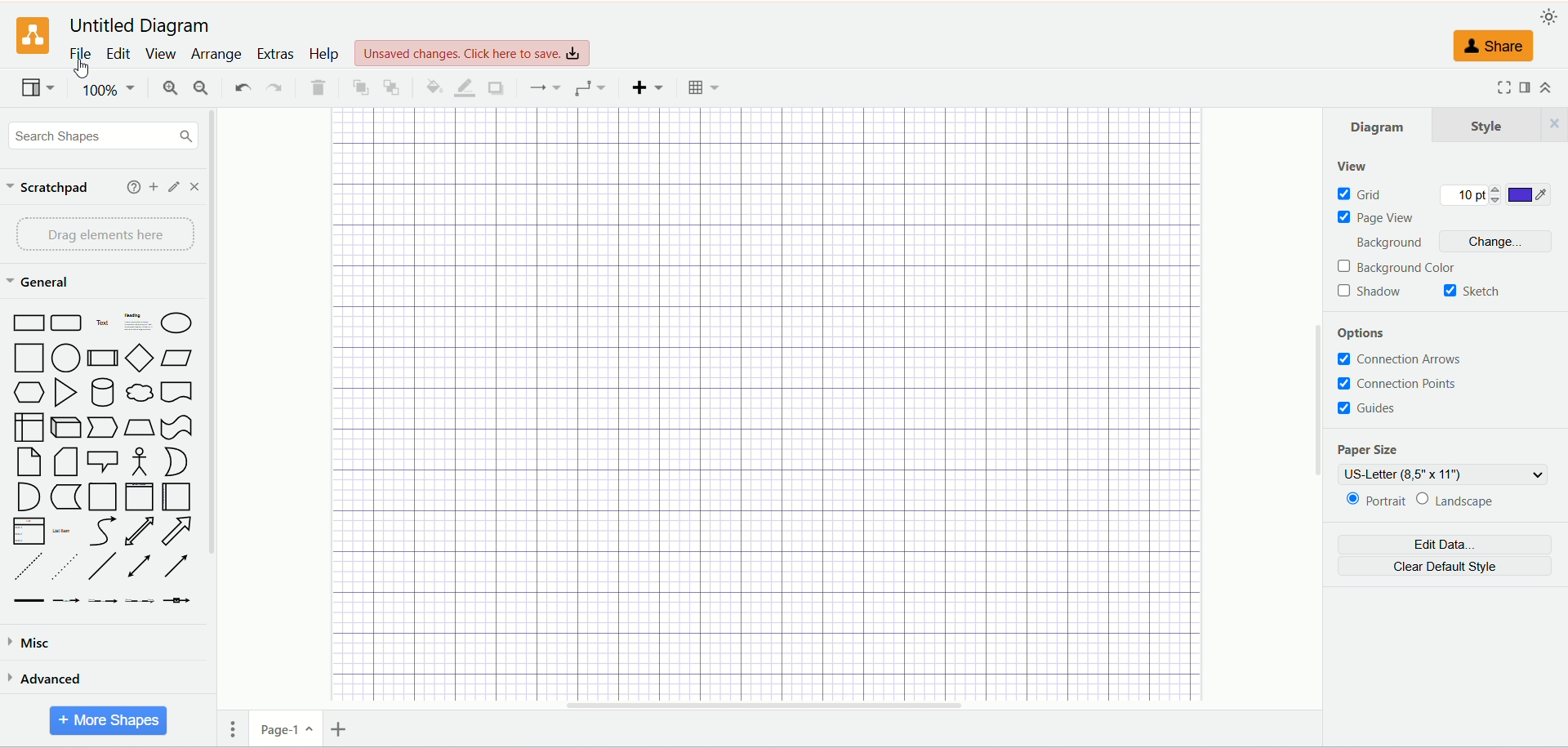  Describe the element at coordinates (1501, 243) in the screenshot. I see `change` at that location.